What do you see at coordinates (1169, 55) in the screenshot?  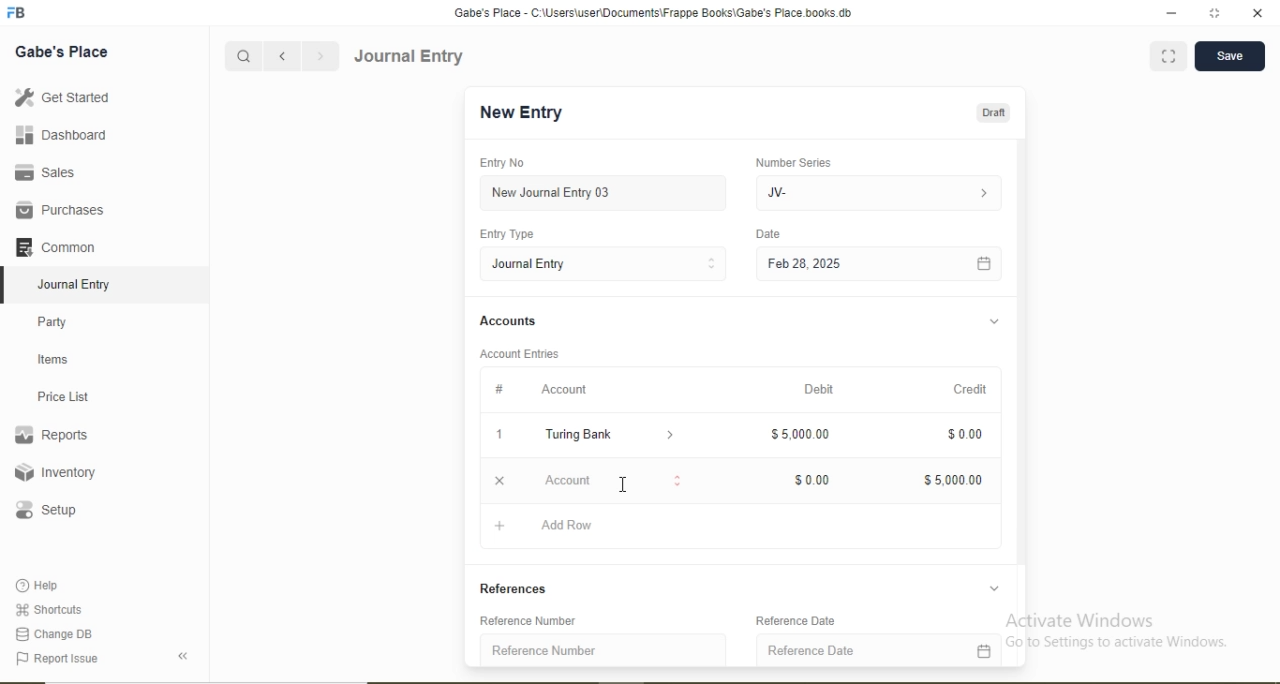 I see `Full screen` at bounding box center [1169, 55].